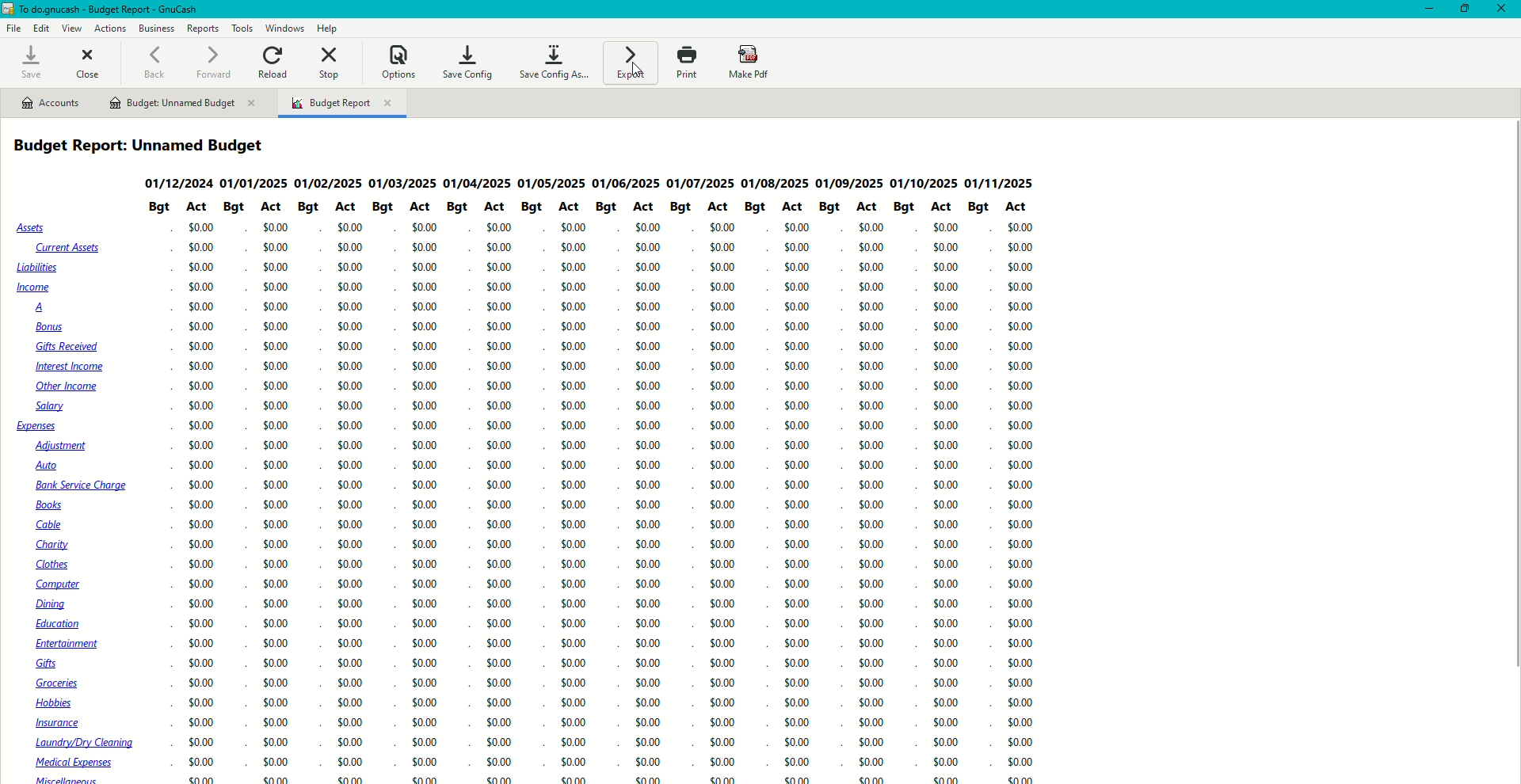 The height and width of the screenshot is (784, 1521). Describe the element at coordinates (503, 268) in the screenshot. I see `$0.00` at that location.